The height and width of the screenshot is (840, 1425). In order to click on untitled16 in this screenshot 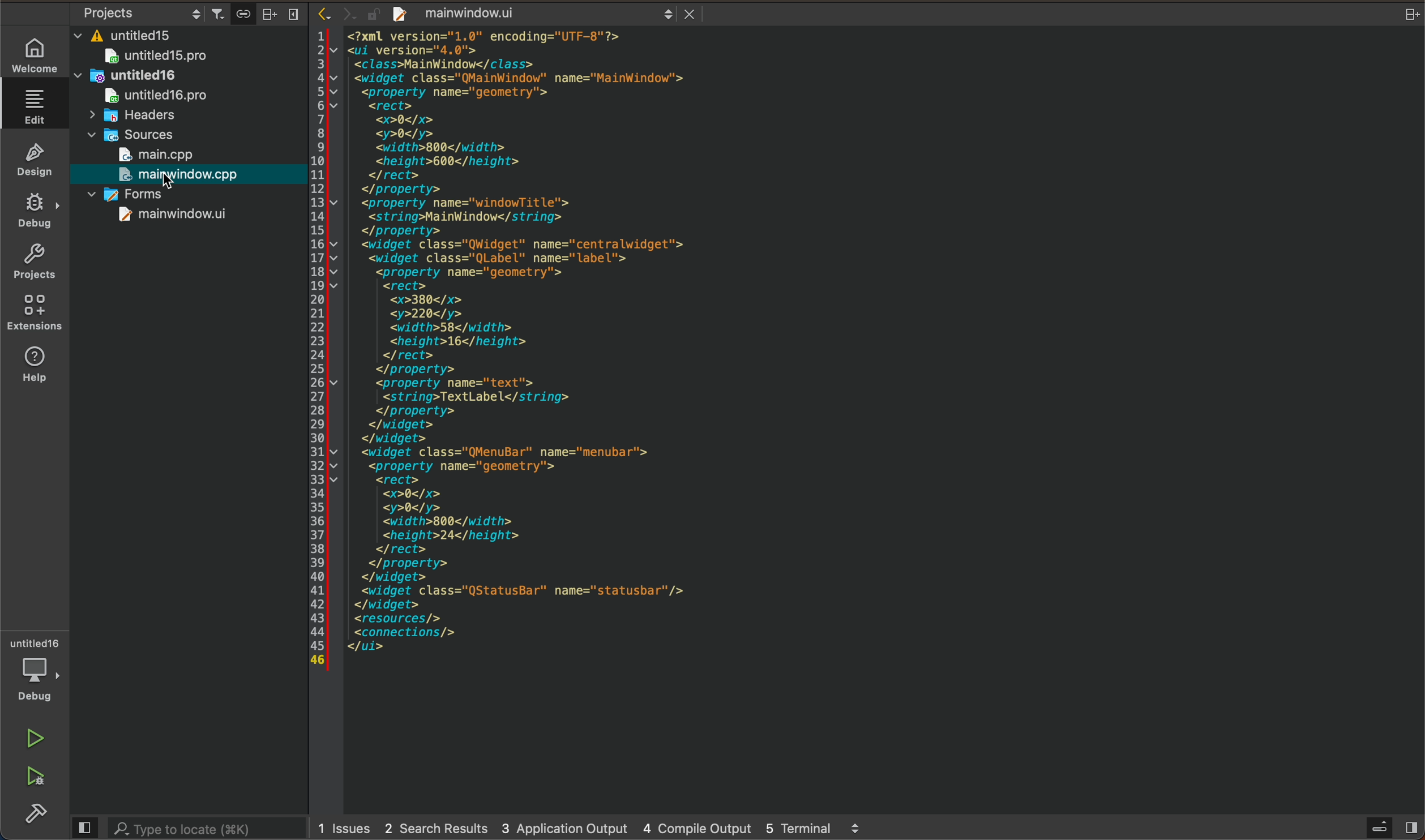, I will do `click(151, 77)`.